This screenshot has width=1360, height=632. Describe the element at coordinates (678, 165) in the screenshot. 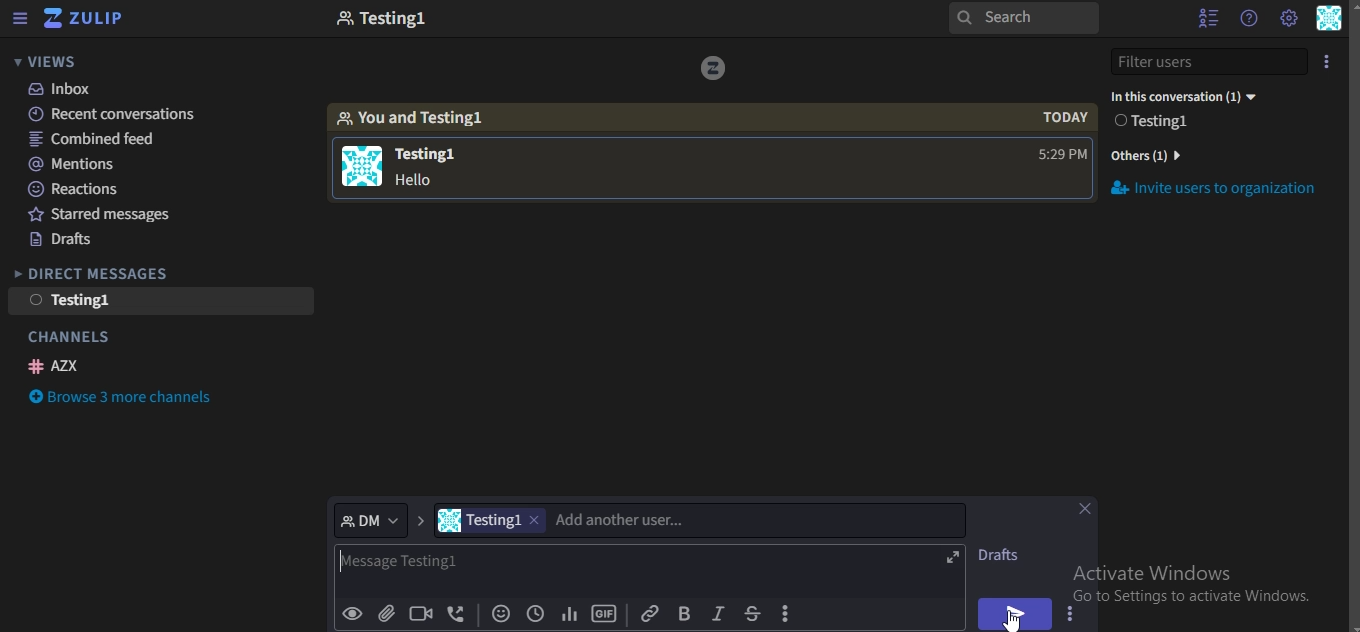

I see `testing1 hello` at that location.